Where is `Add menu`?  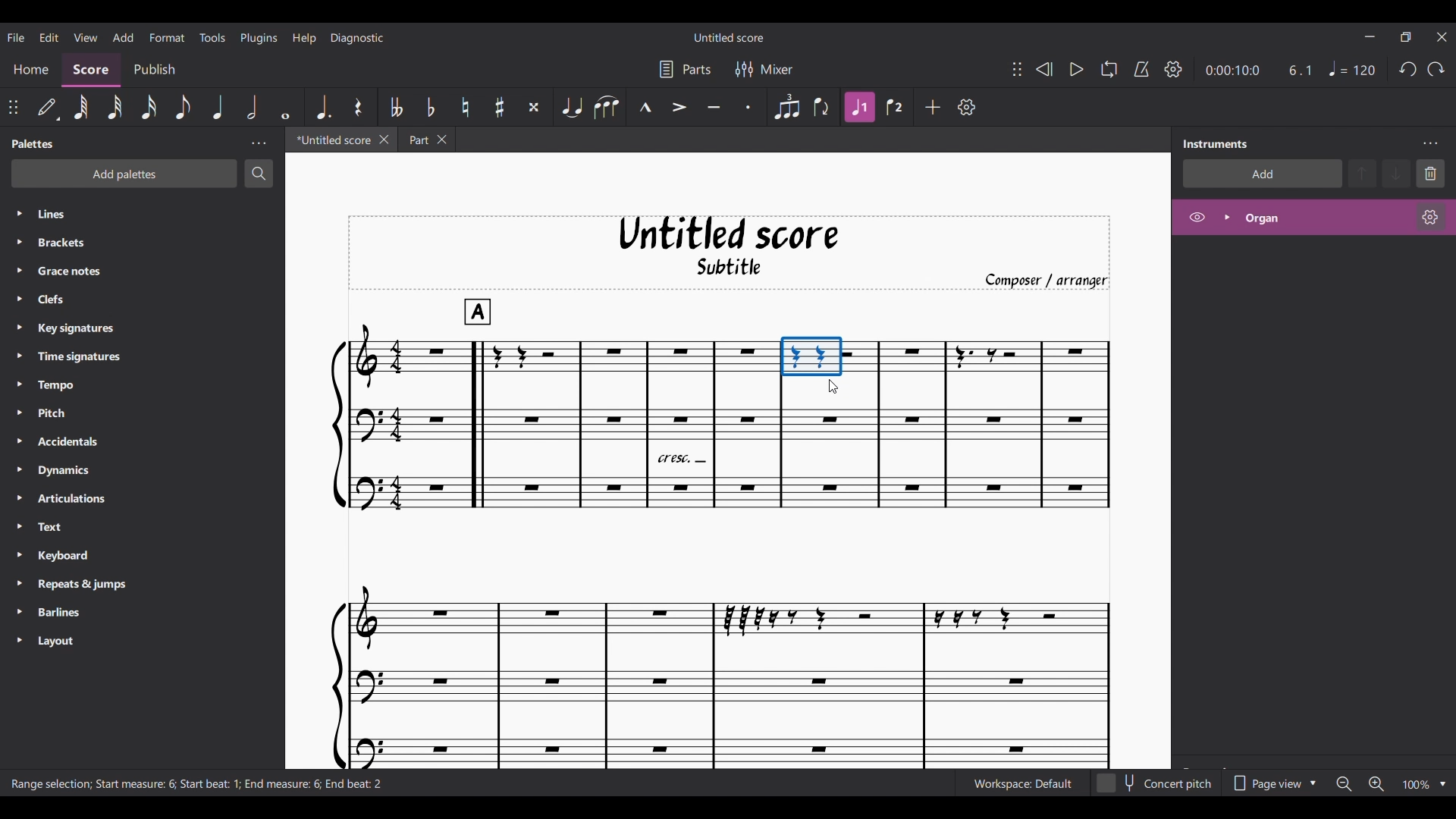 Add menu is located at coordinates (123, 36).